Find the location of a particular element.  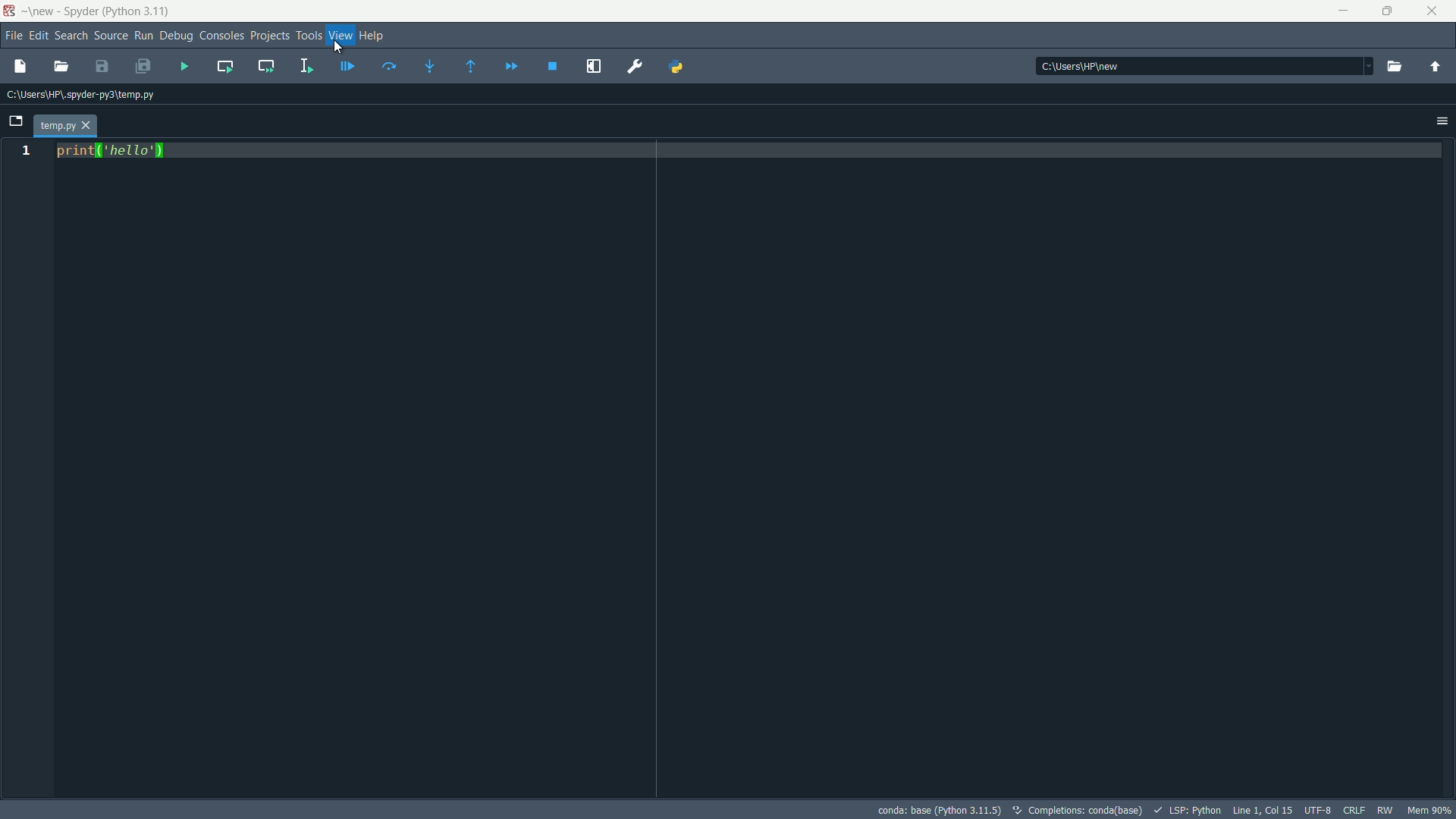

debug menu is located at coordinates (177, 36).